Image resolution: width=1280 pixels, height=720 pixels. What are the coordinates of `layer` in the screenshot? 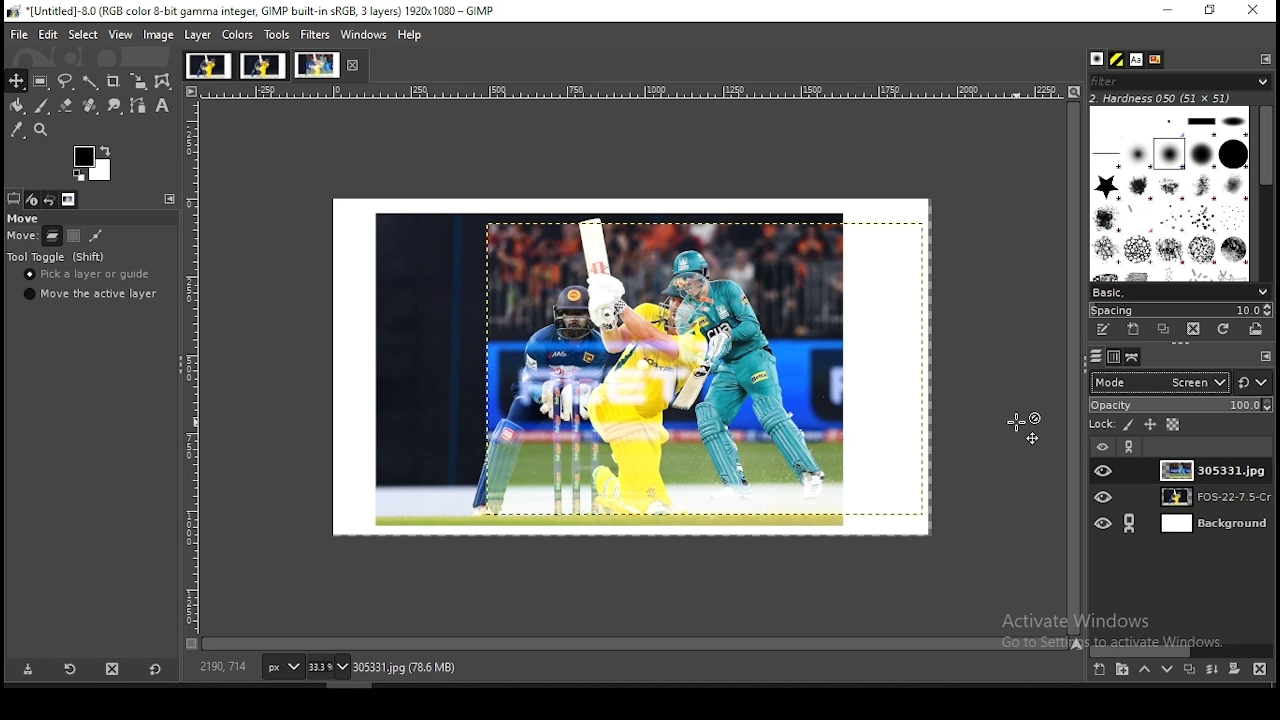 It's located at (1207, 523).